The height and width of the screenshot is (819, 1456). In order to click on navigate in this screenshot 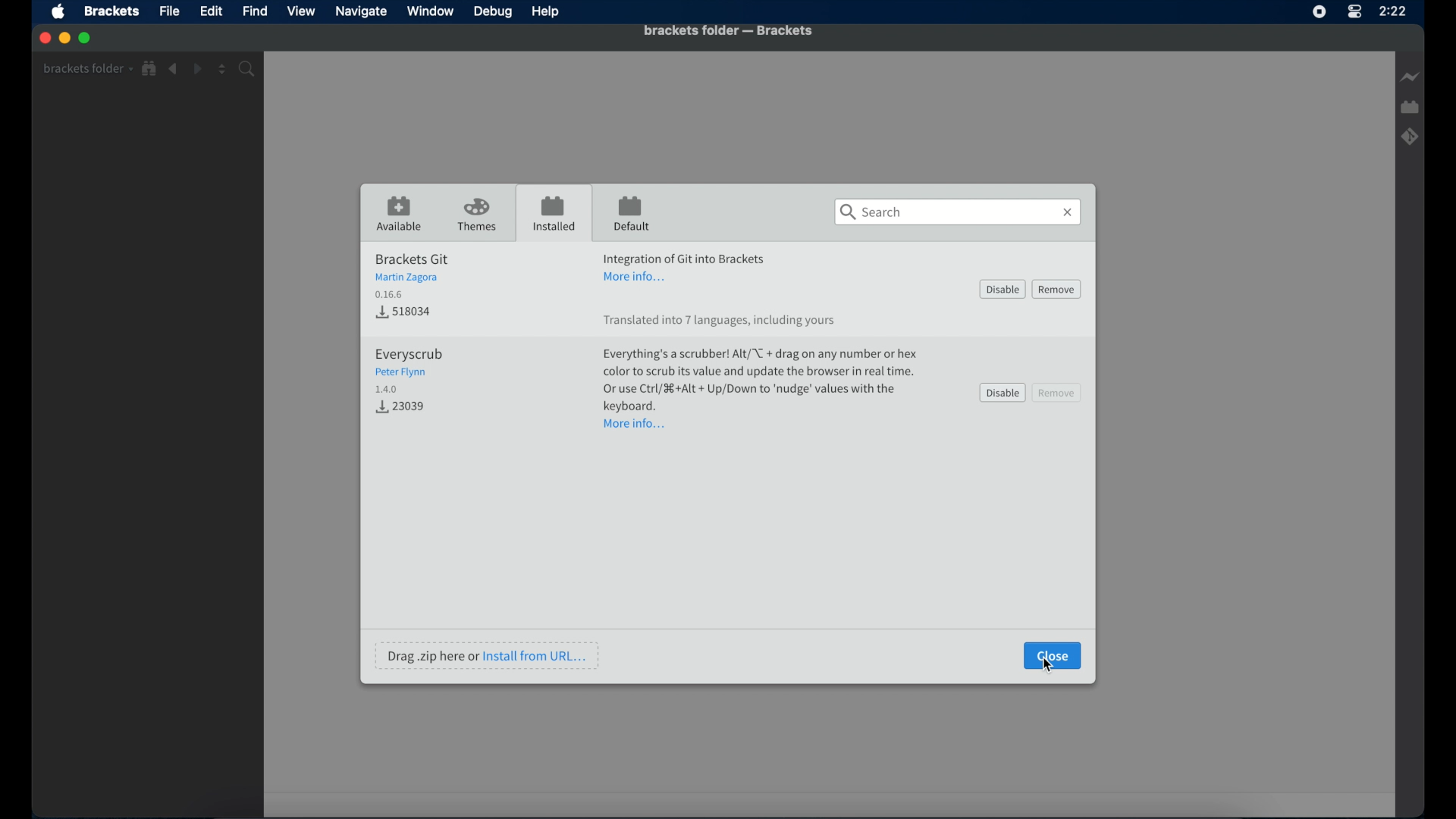, I will do `click(360, 11)`.